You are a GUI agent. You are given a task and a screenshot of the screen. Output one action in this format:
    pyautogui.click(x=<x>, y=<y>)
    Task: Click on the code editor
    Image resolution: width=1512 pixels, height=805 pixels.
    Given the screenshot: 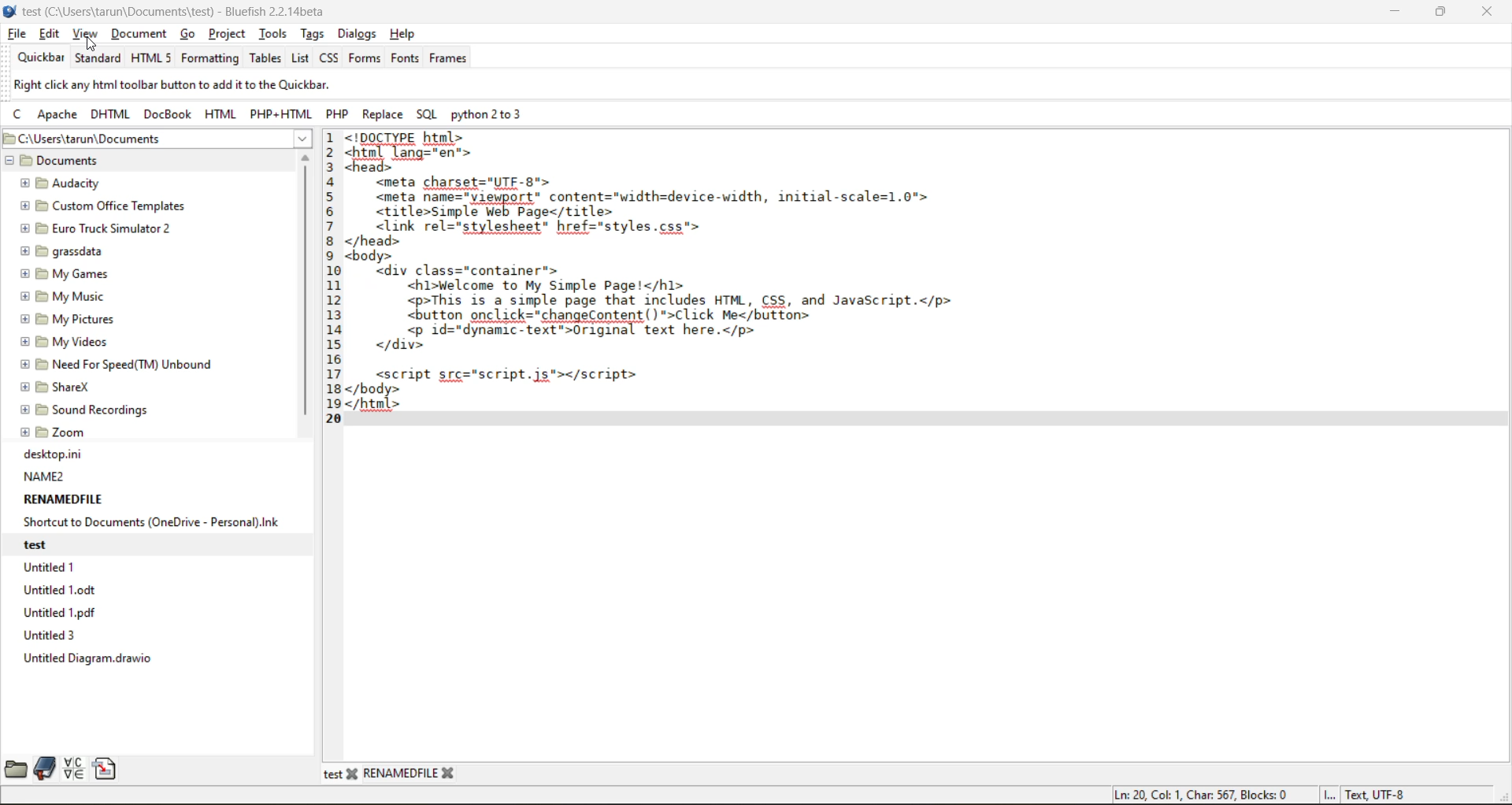 What is the action you would take?
    pyautogui.click(x=730, y=287)
    